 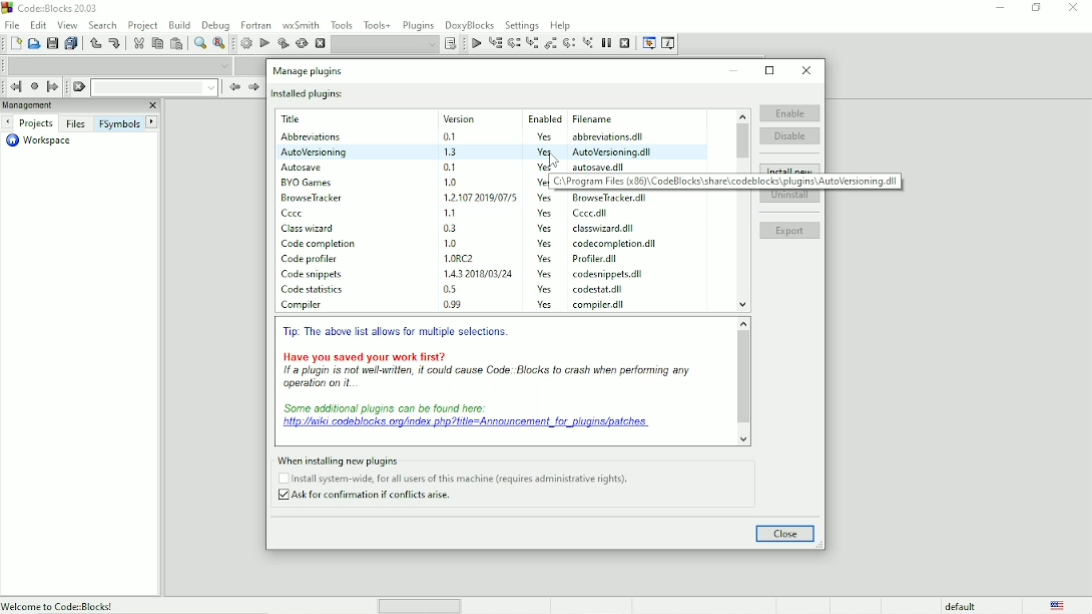 What do you see at coordinates (307, 70) in the screenshot?
I see `Manage plugins` at bounding box center [307, 70].